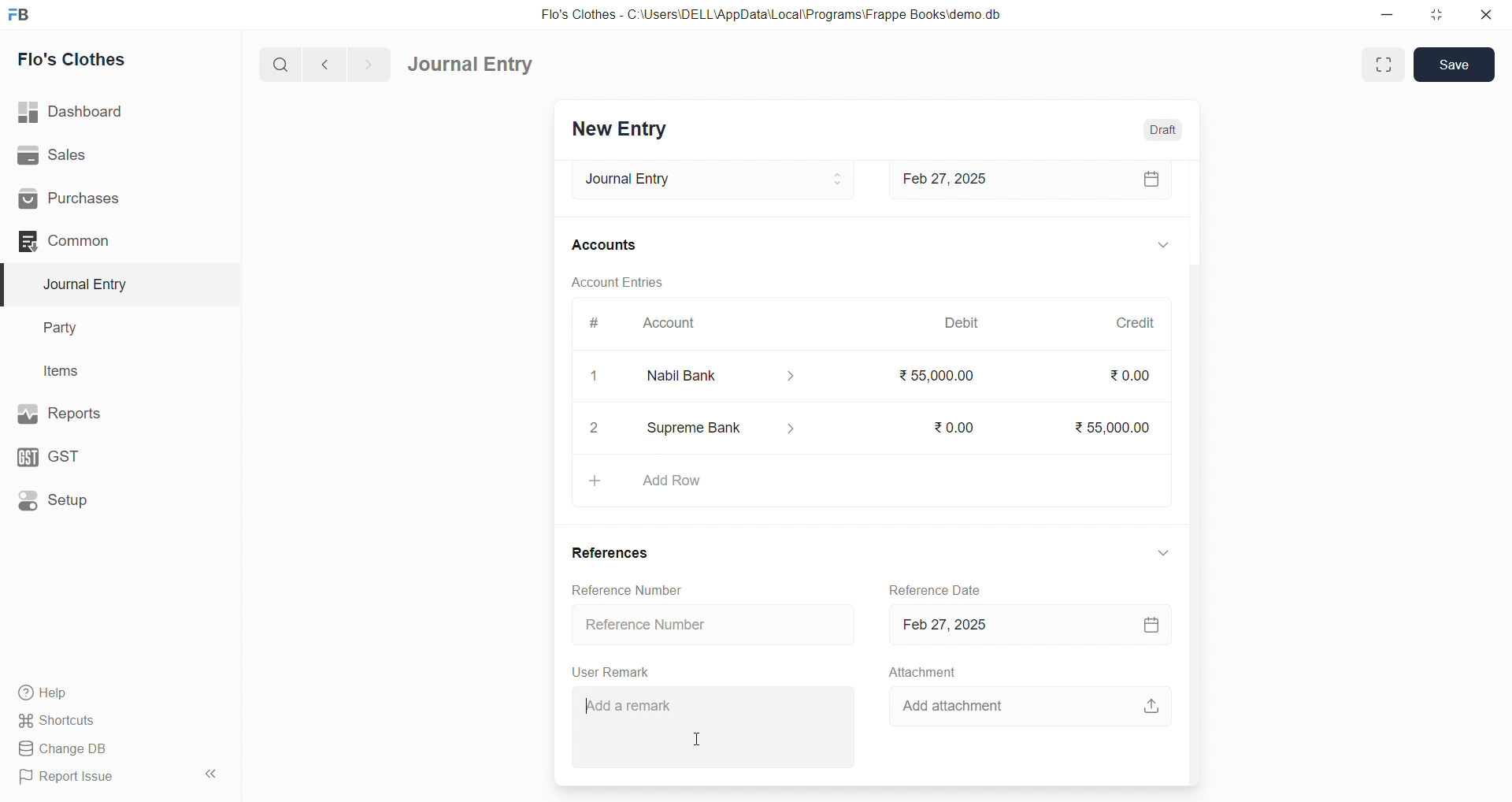 This screenshot has height=802, width=1512. I want to click on VERTICAL SCROLL BAR, so click(1192, 472).